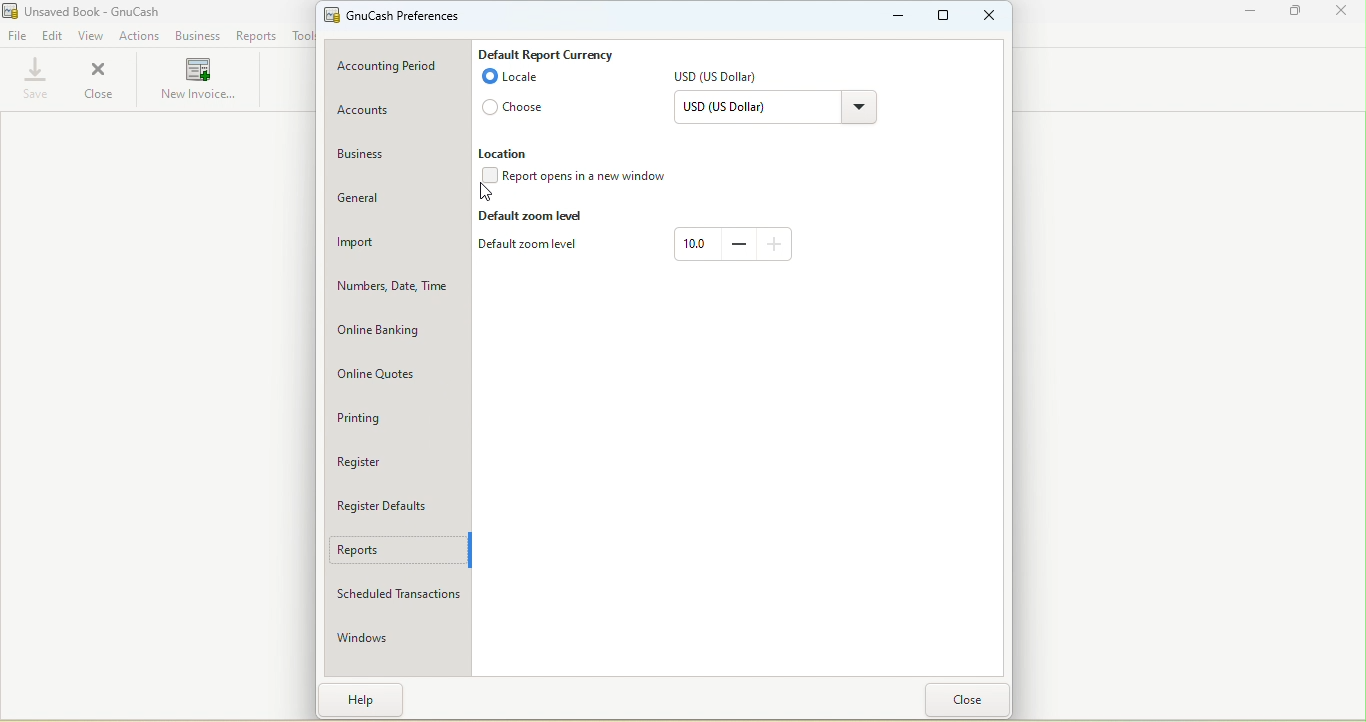 Image resolution: width=1366 pixels, height=722 pixels. Describe the element at coordinates (1340, 14) in the screenshot. I see `Close` at that location.